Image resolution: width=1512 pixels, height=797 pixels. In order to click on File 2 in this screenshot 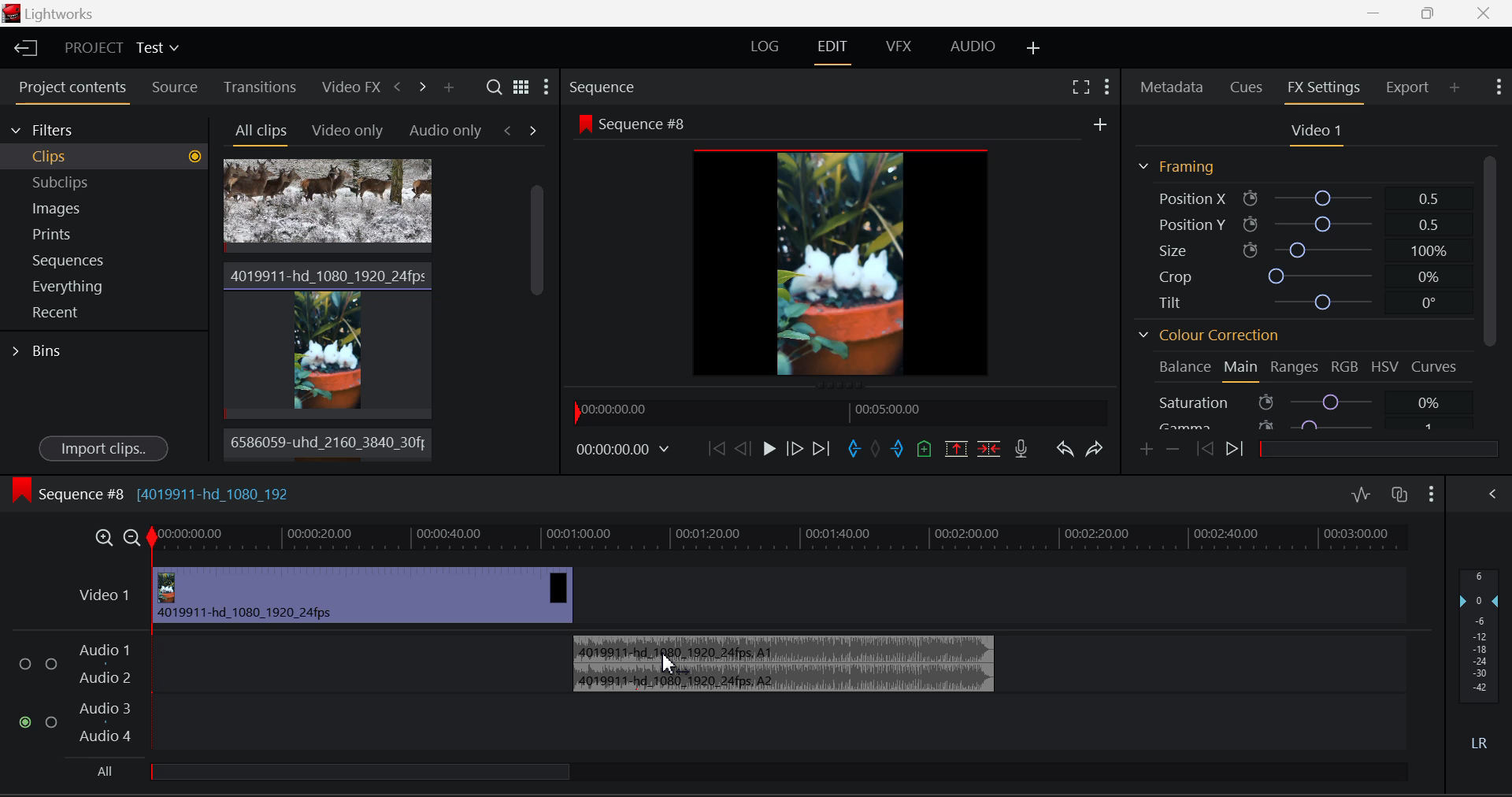, I will do `click(328, 338)`.